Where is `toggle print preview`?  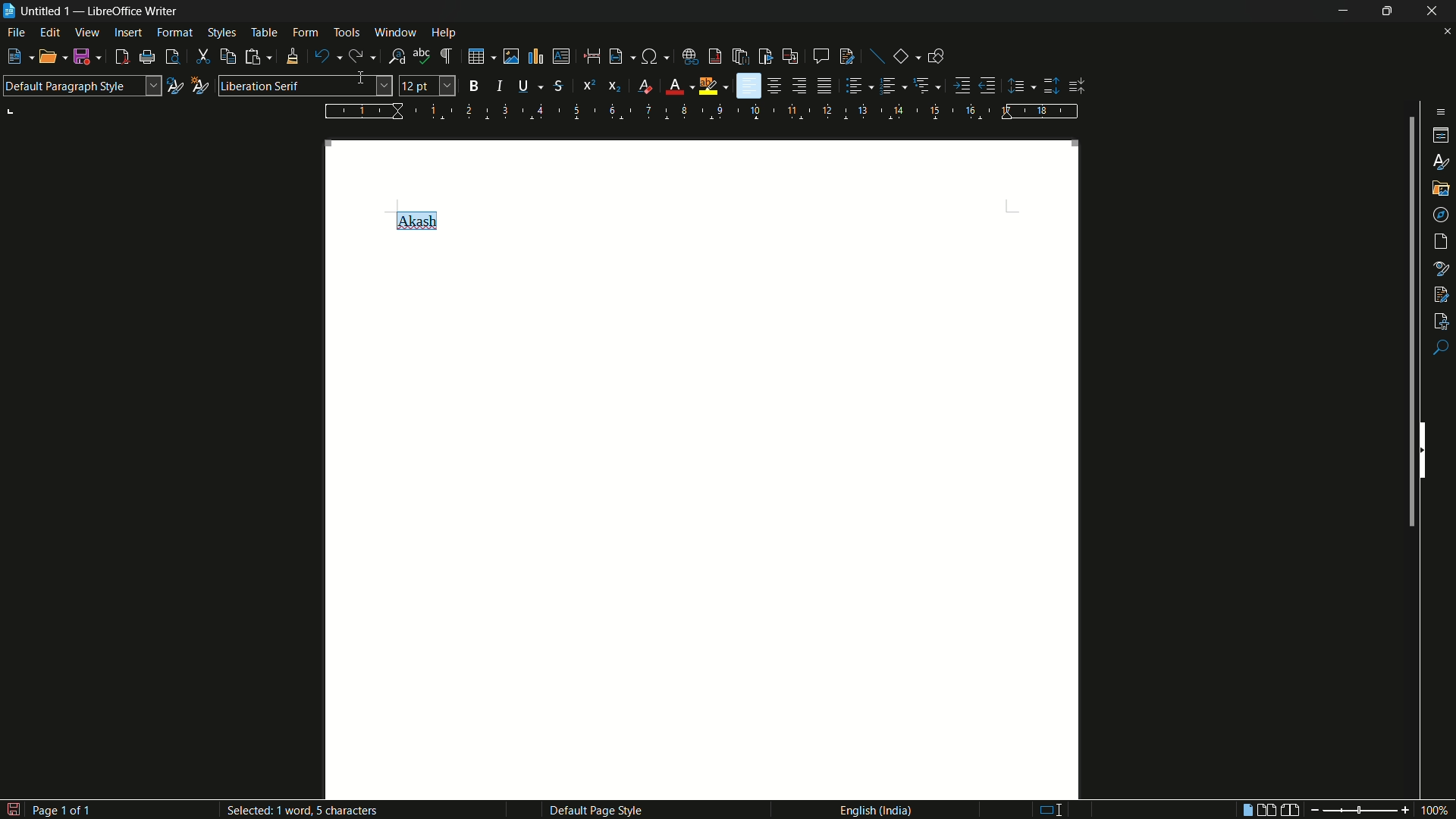
toggle print preview is located at coordinates (173, 57).